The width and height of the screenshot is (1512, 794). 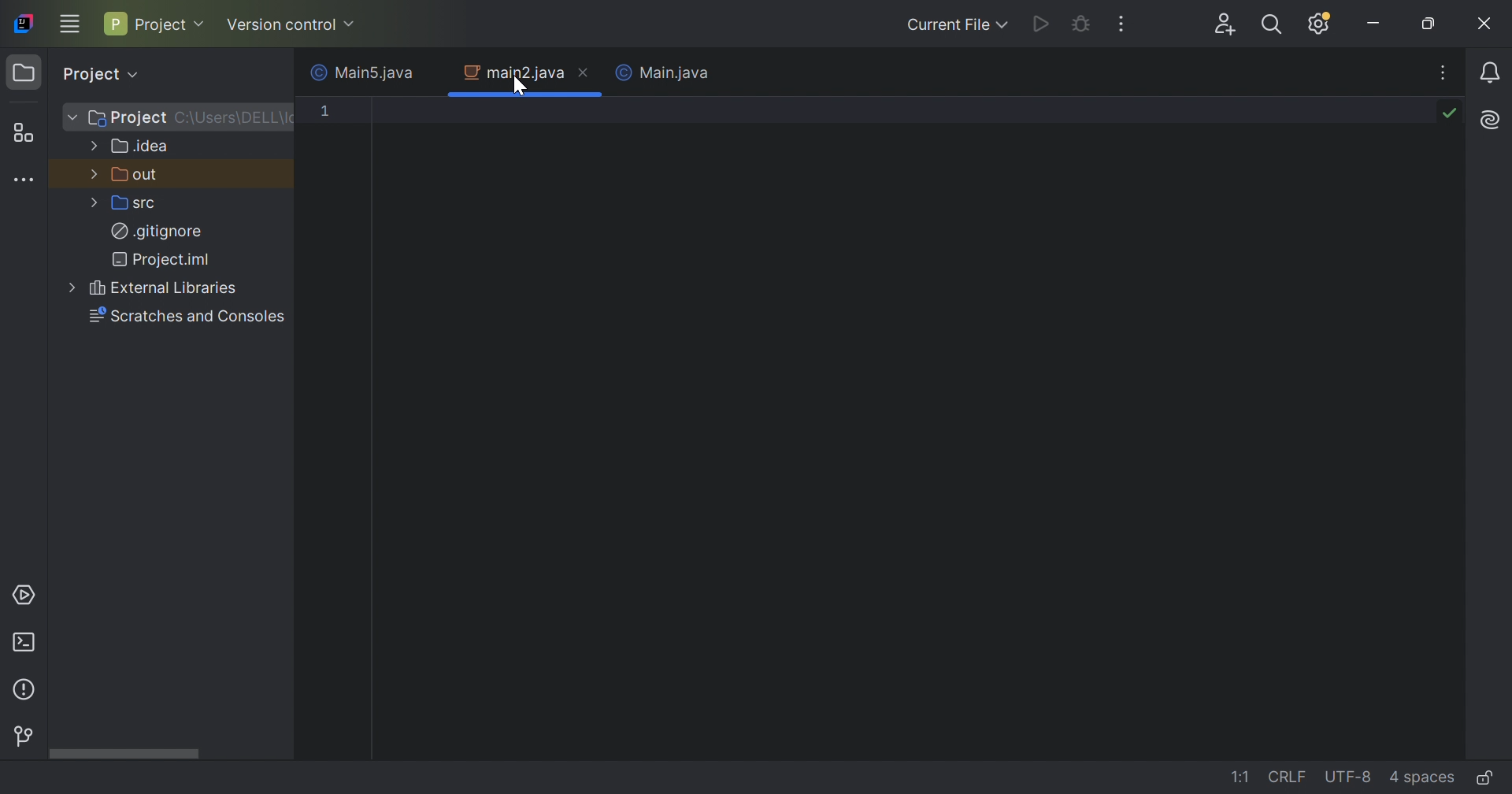 What do you see at coordinates (1347, 777) in the screenshot?
I see `UTF-8` at bounding box center [1347, 777].